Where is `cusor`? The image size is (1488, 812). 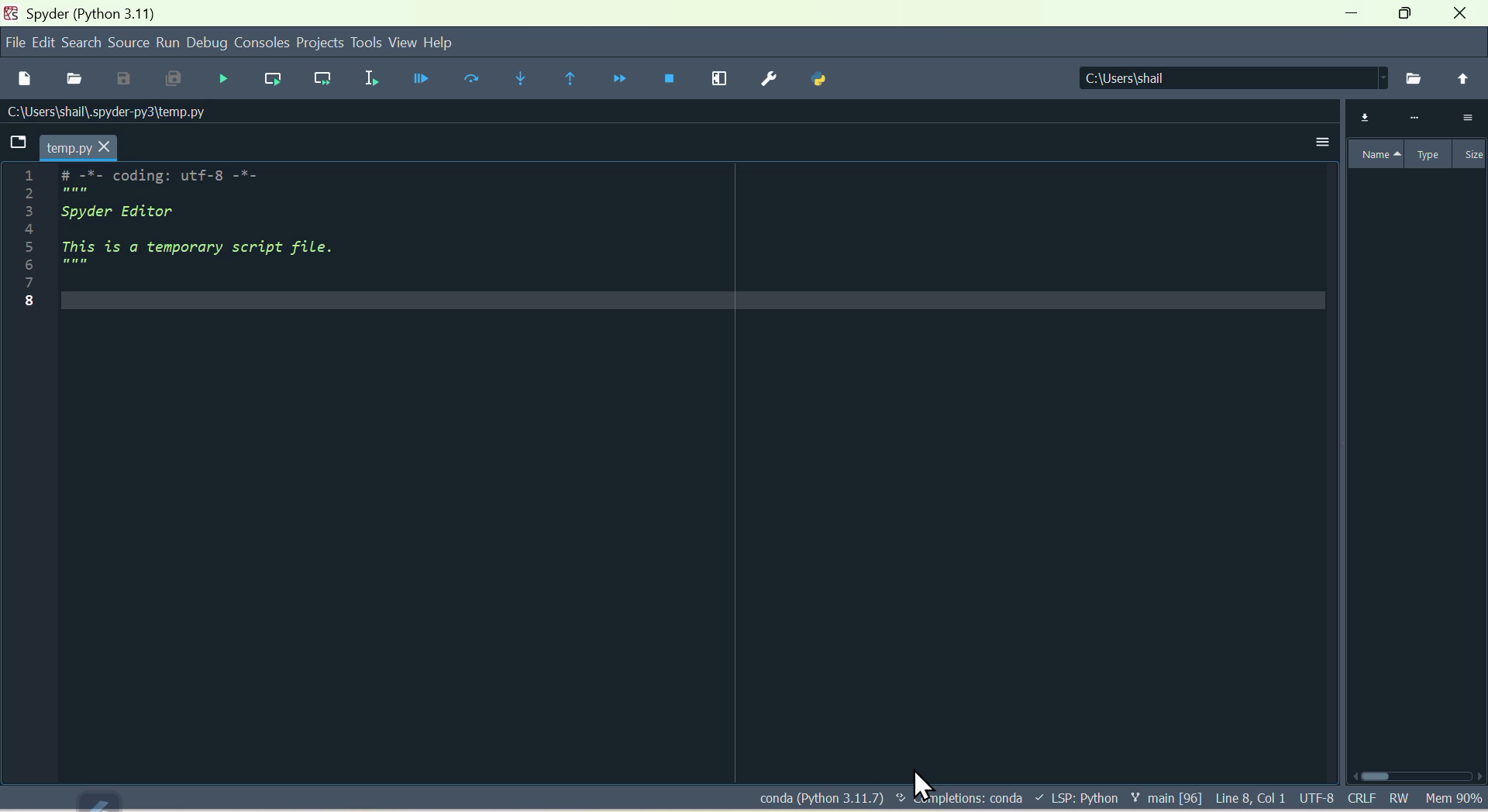
cusor is located at coordinates (920, 779).